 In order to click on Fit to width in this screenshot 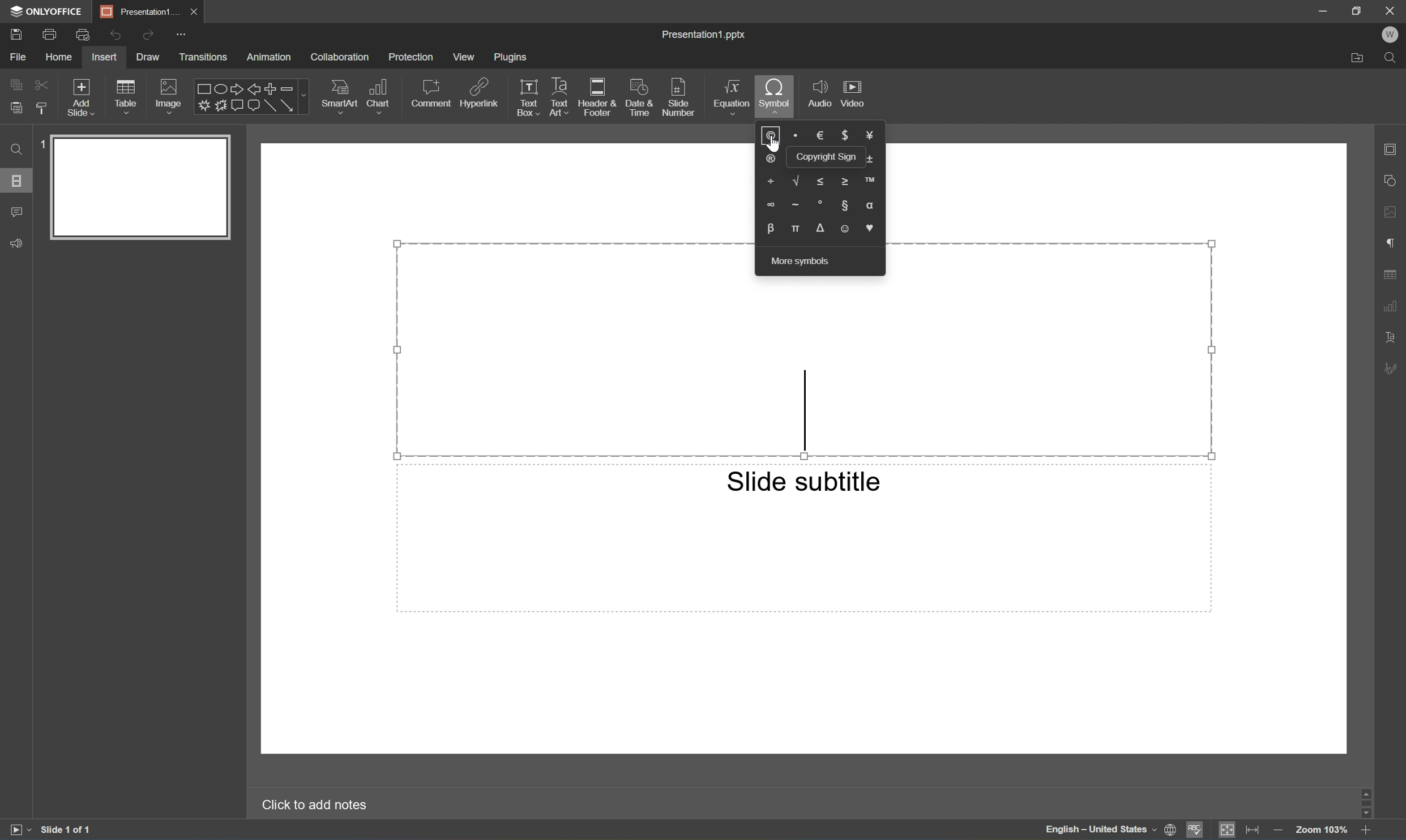, I will do `click(1254, 829)`.